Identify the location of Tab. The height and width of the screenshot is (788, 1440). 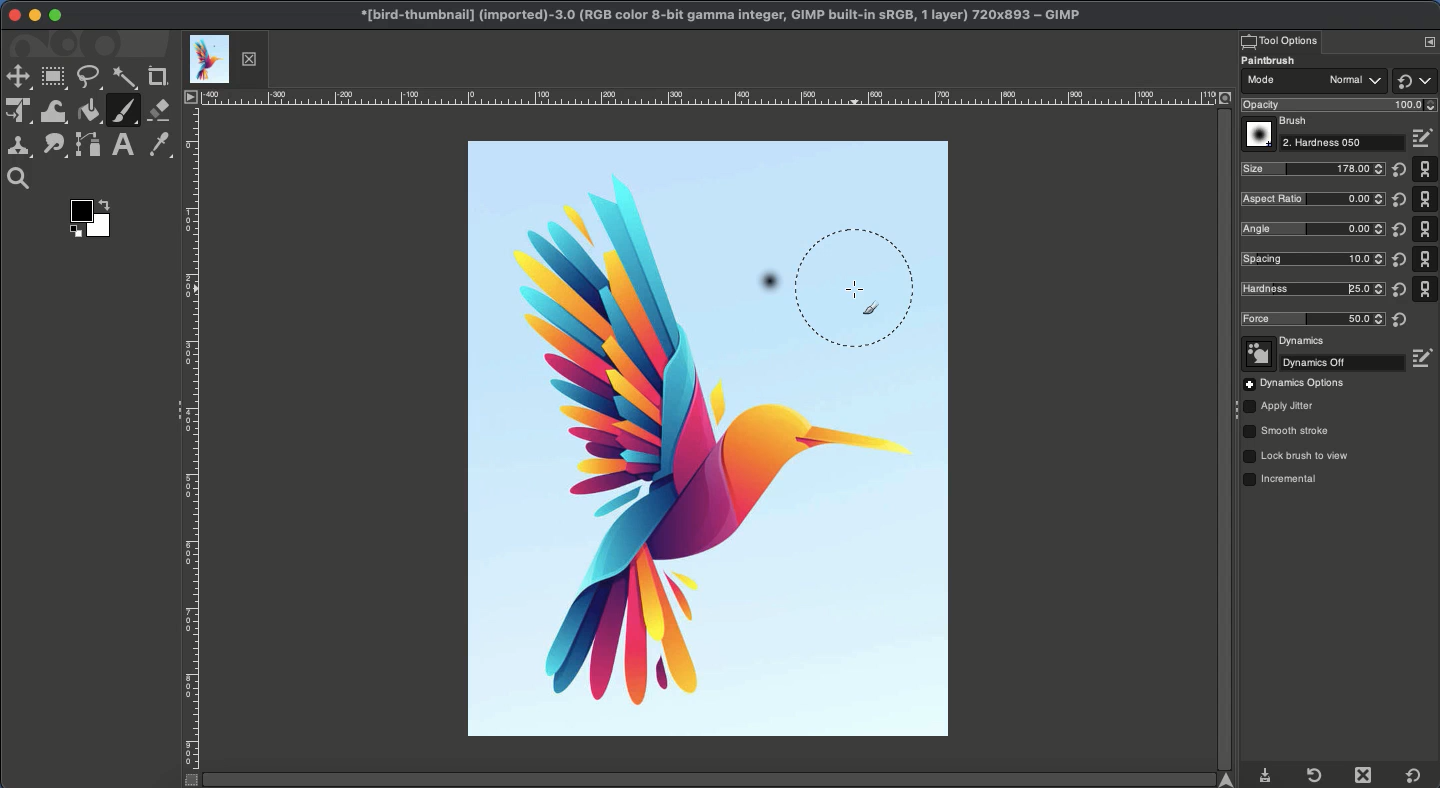
(224, 59).